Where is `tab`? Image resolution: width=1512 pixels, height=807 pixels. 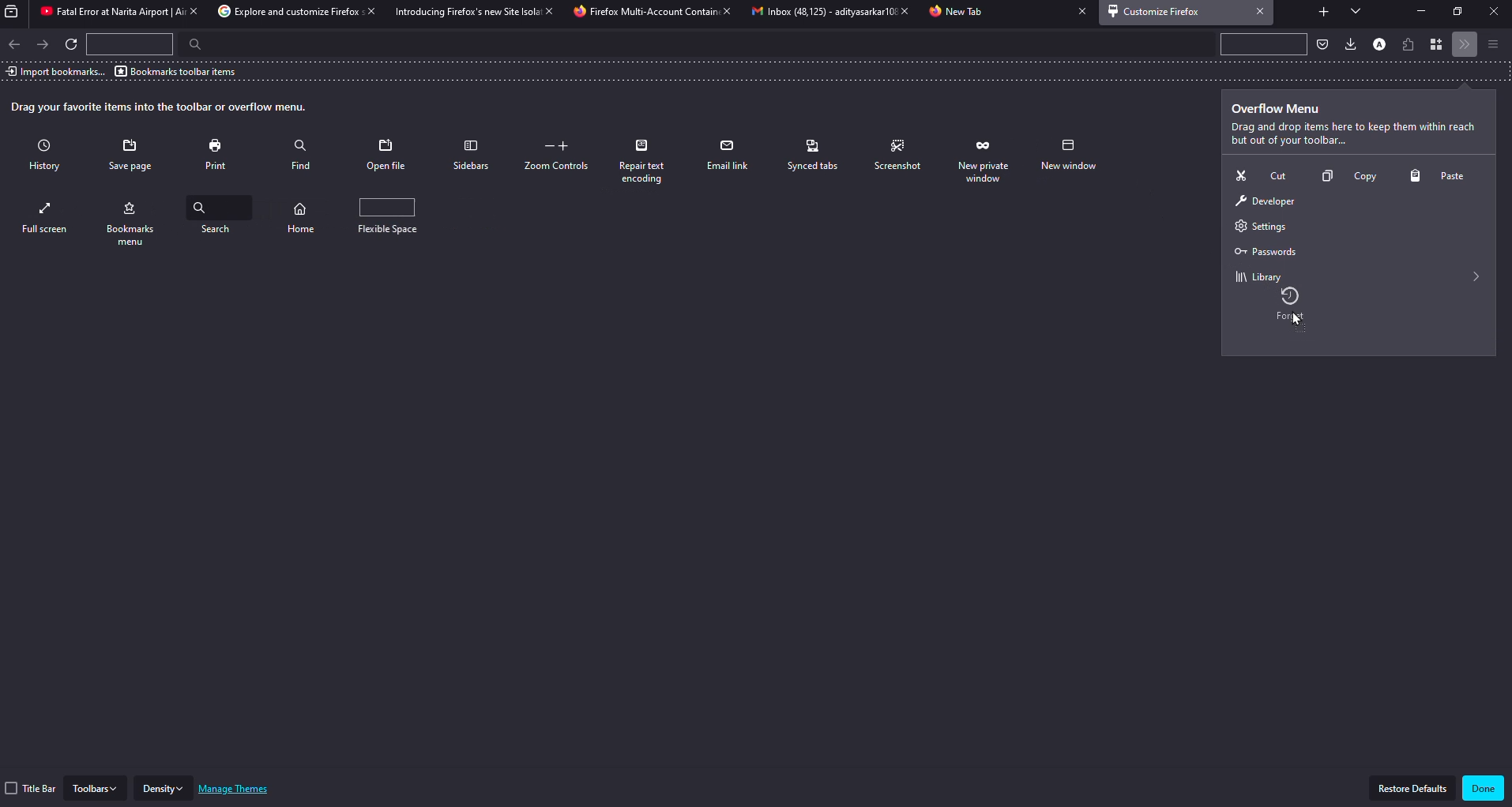 tab is located at coordinates (280, 12).